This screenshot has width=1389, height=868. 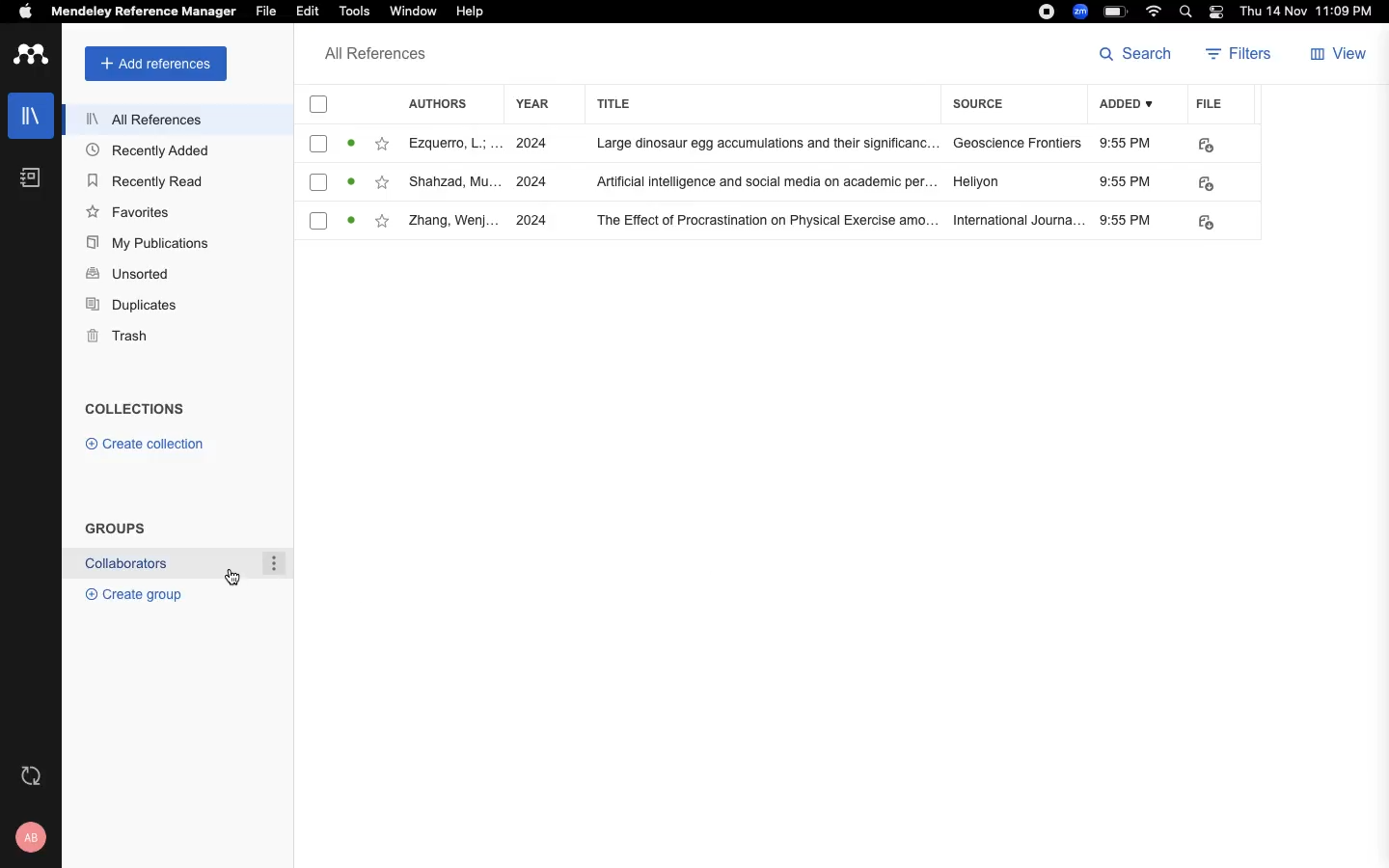 What do you see at coordinates (1189, 14) in the screenshot?
I see `search` at bounding box center [1189, 14].